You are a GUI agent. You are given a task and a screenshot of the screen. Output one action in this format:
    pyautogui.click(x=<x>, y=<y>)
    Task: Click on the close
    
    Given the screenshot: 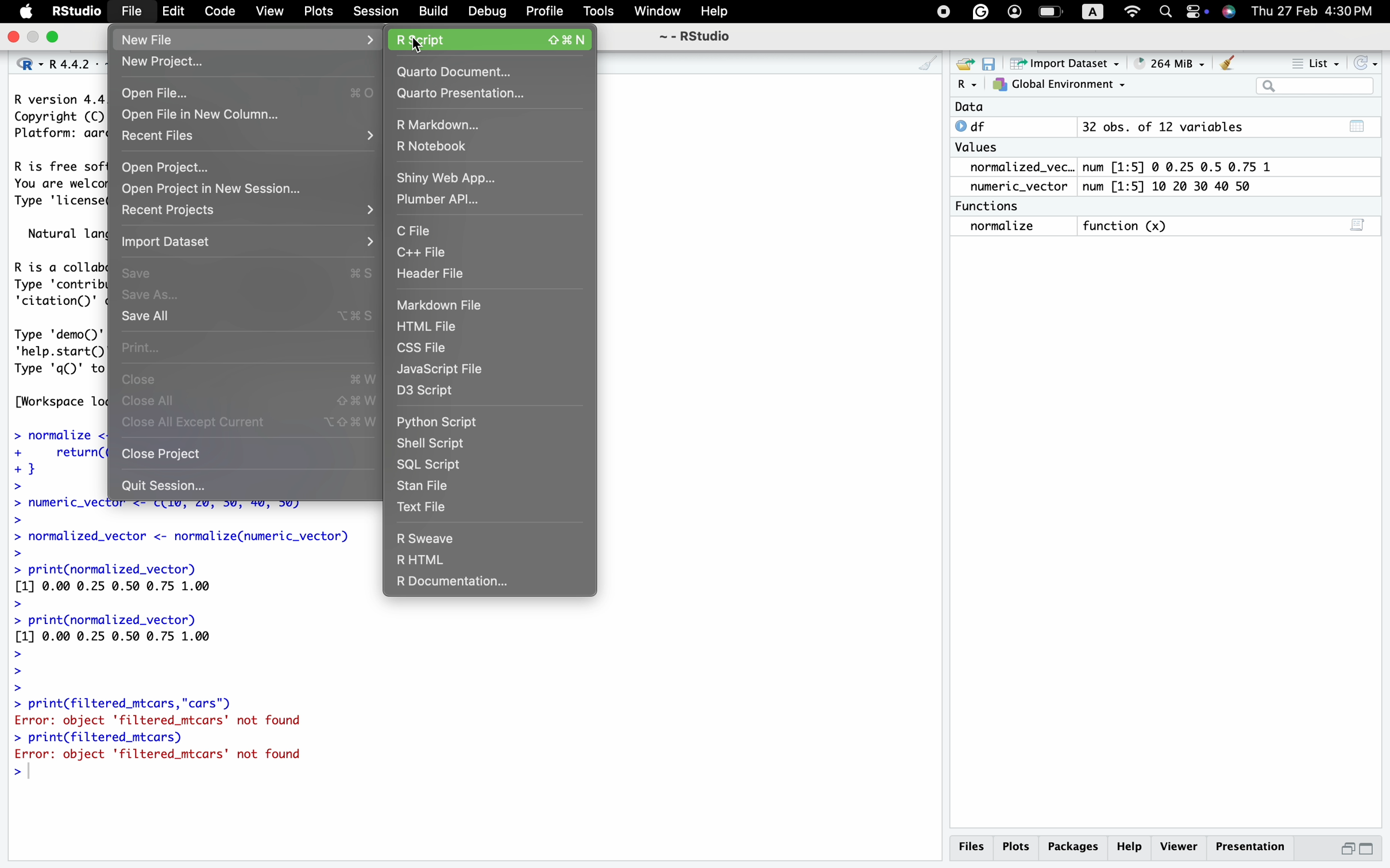 What is the action you would take?
    pyautogui.click(x=10, y=37)
    